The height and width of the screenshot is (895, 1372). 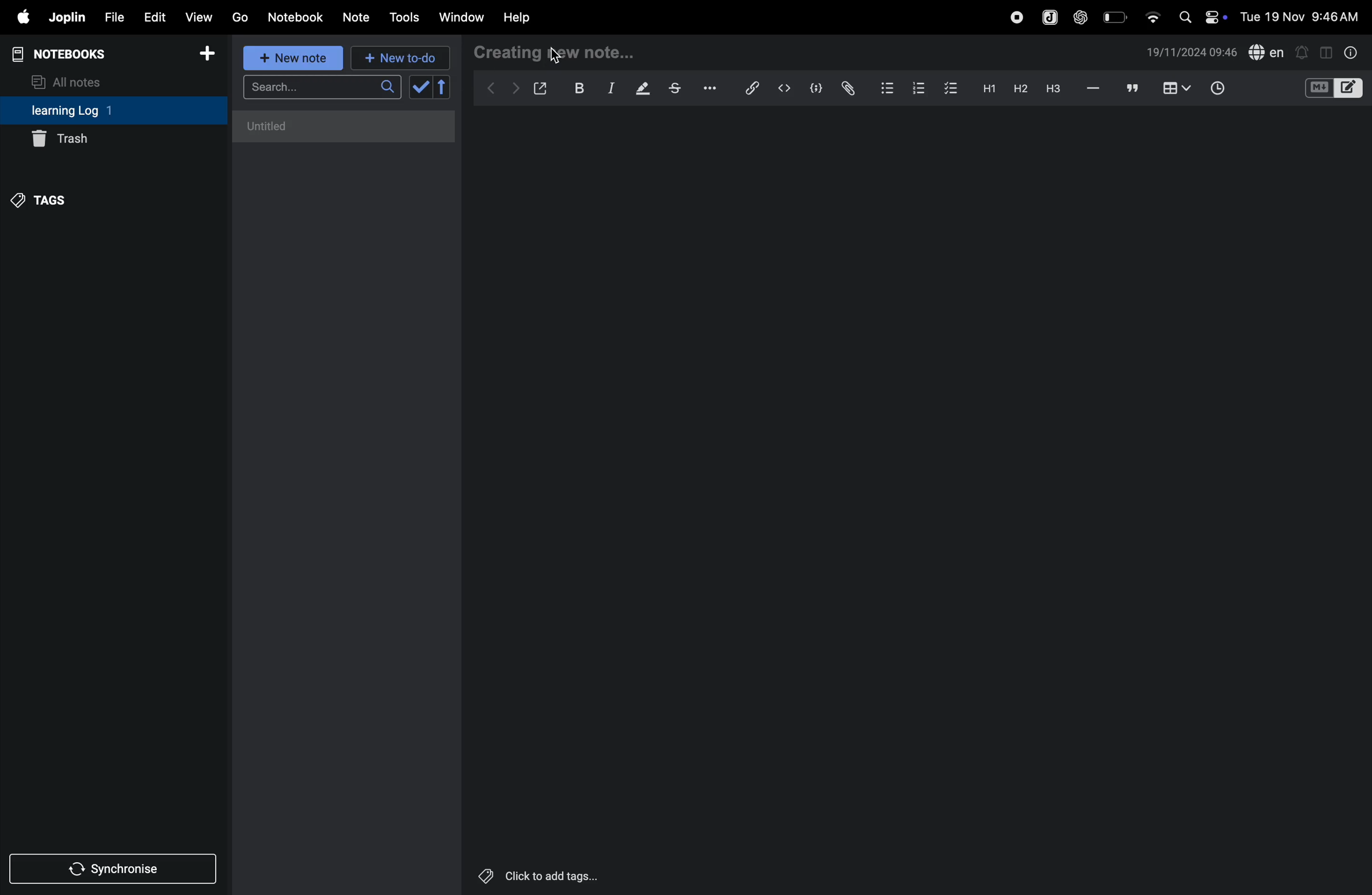 I want to click on notes, so click(x=357, y=18).